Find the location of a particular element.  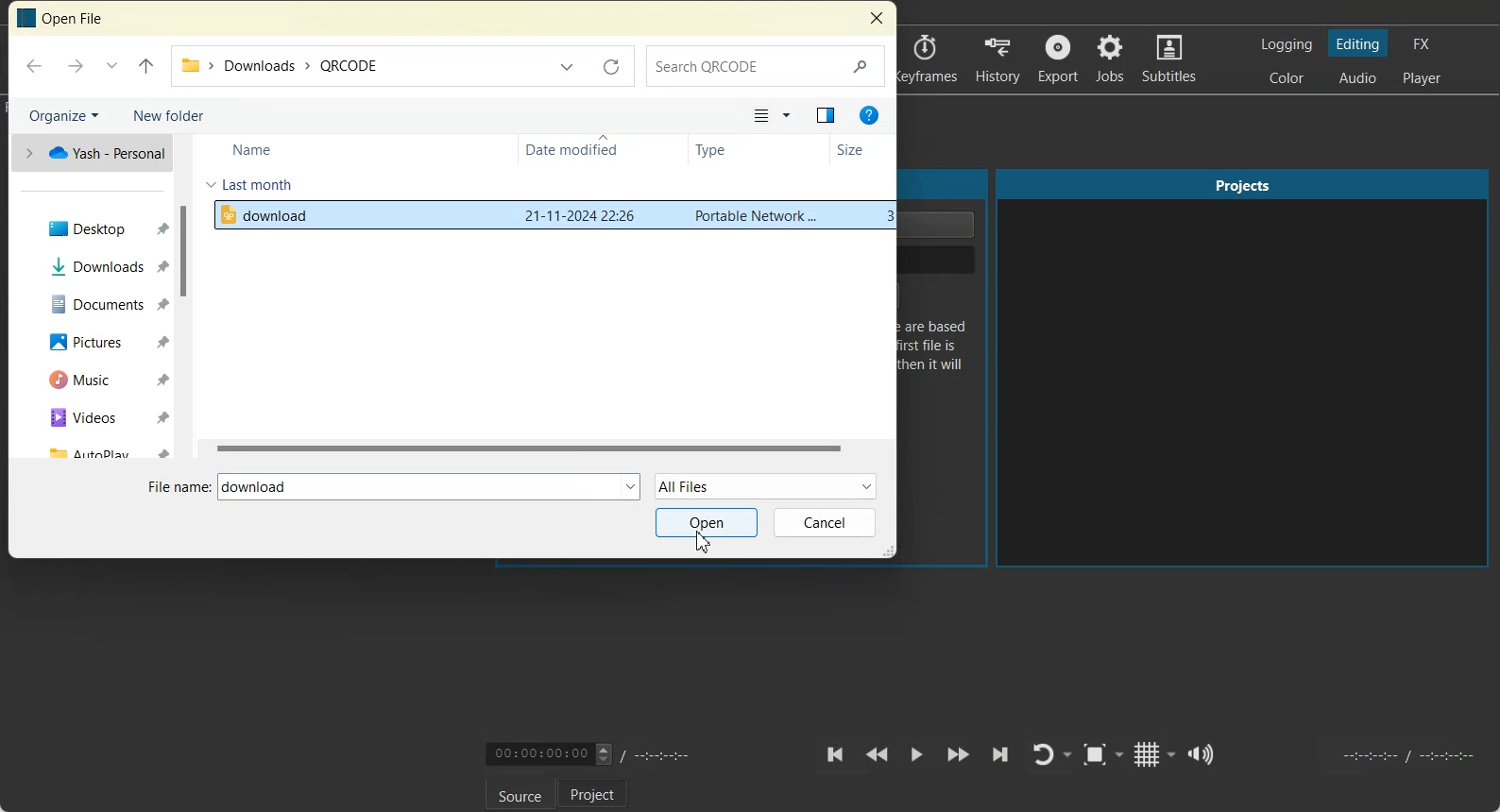

Switch to the color layout is located at coordinates (1288, 77).